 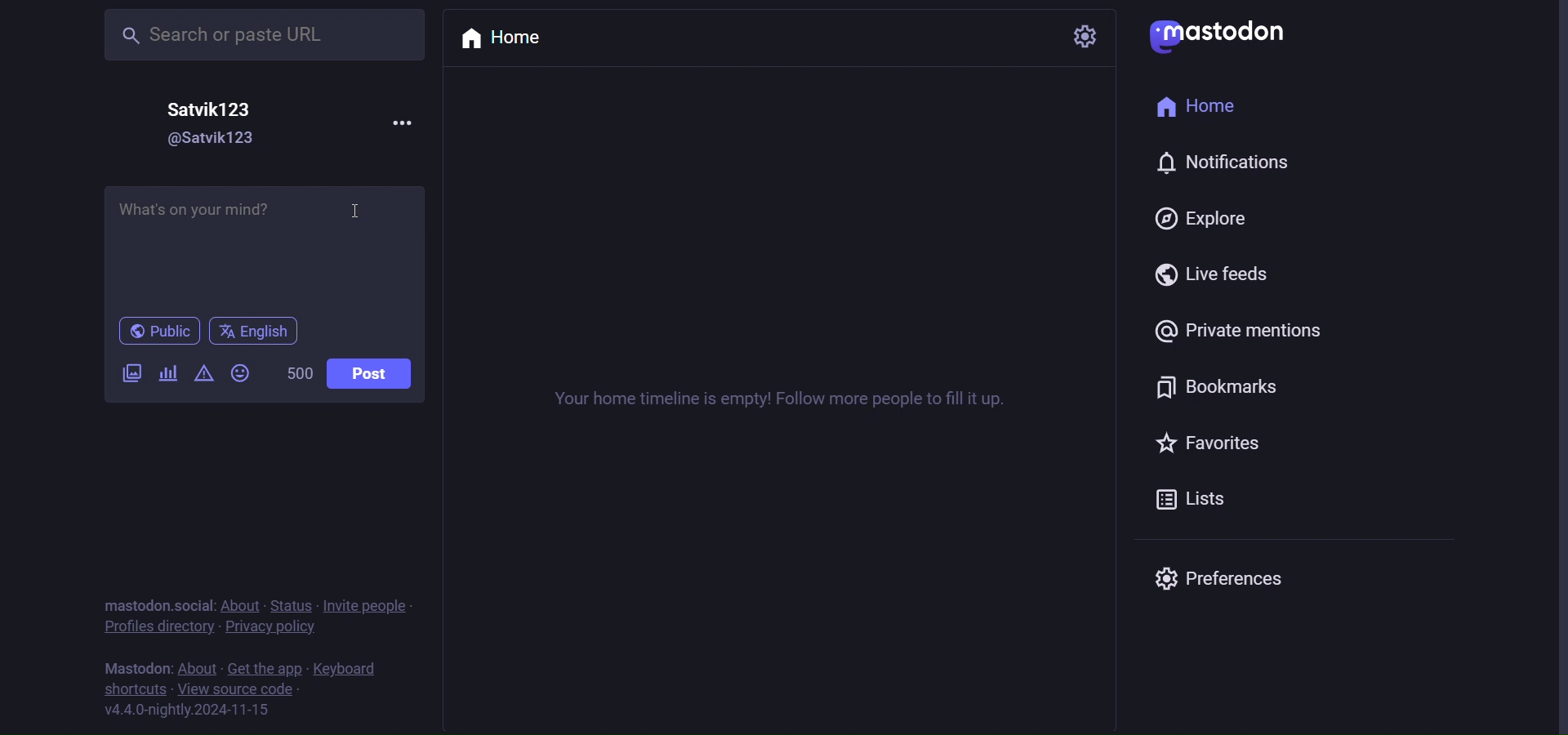 What do you see at coordinates (202, 375) in the screenshot?
I see `content warning` at bounding box center [202, 375].